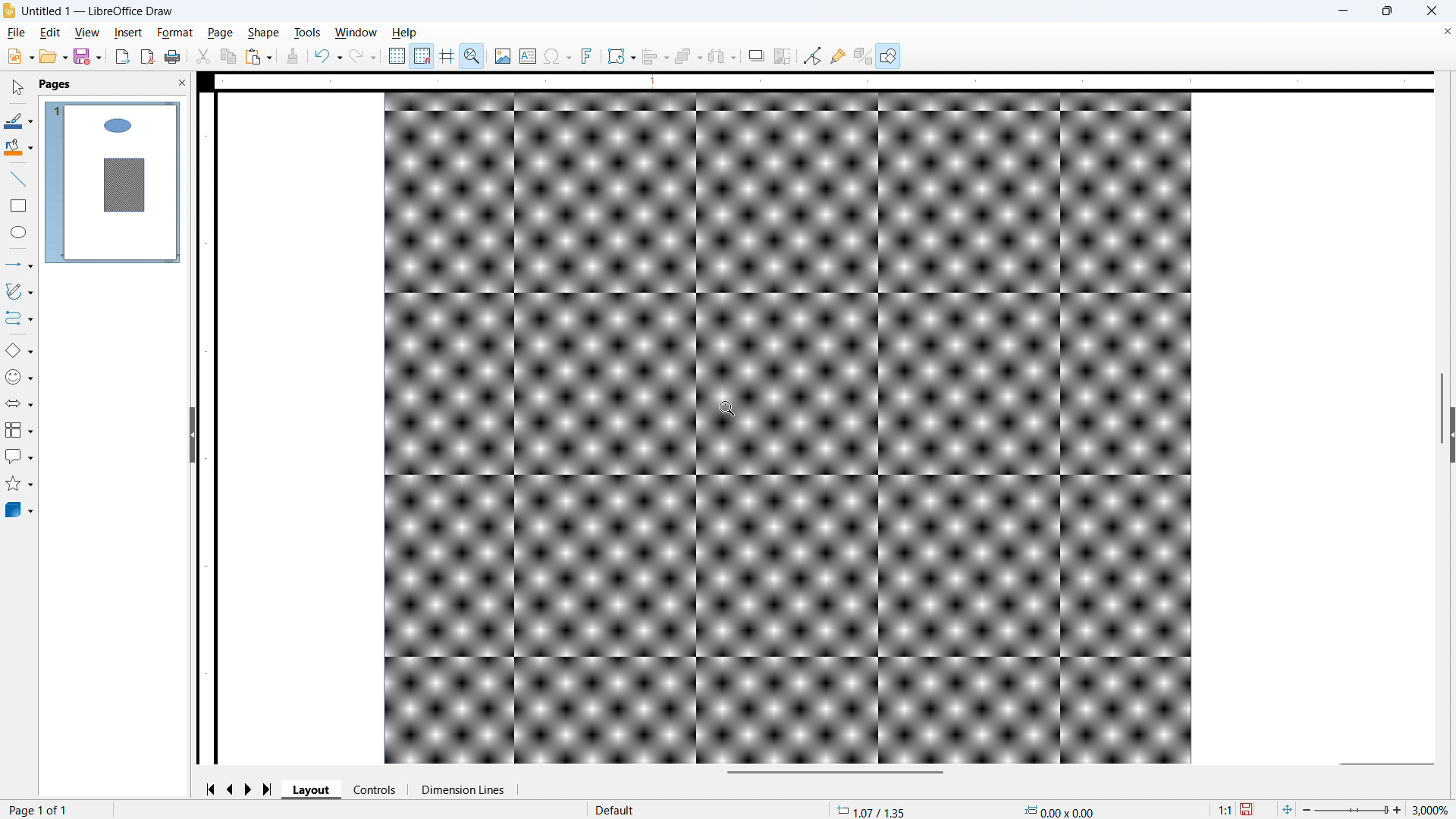 This screenshot has height=819, width=1456. Describe the element at coordinates (18, 351) in the screenshot. I see `Basic shapes ` at that location.